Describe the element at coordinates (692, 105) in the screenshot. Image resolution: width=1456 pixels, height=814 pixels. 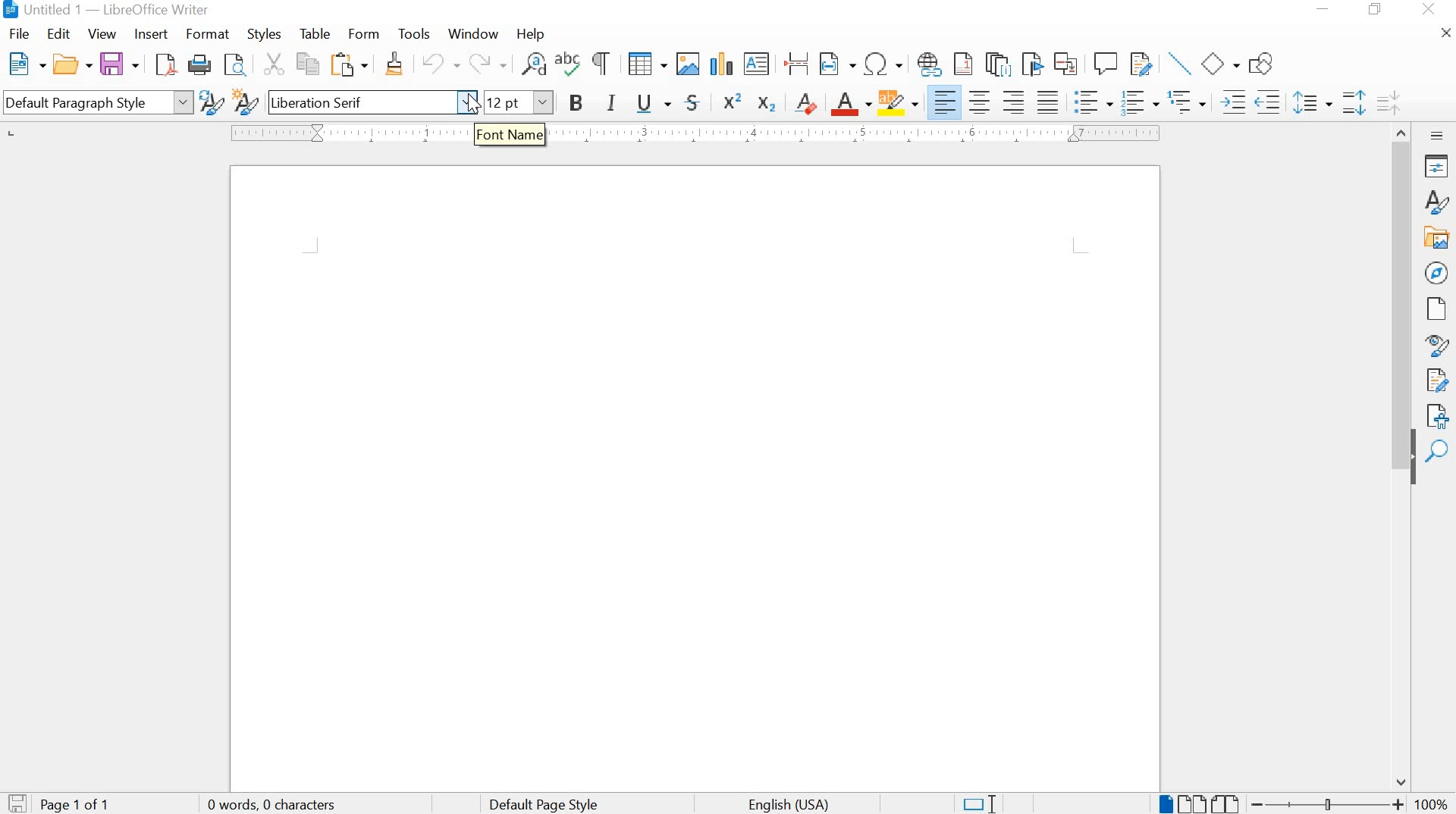
I see `STRIKETHROUGH` at that location.